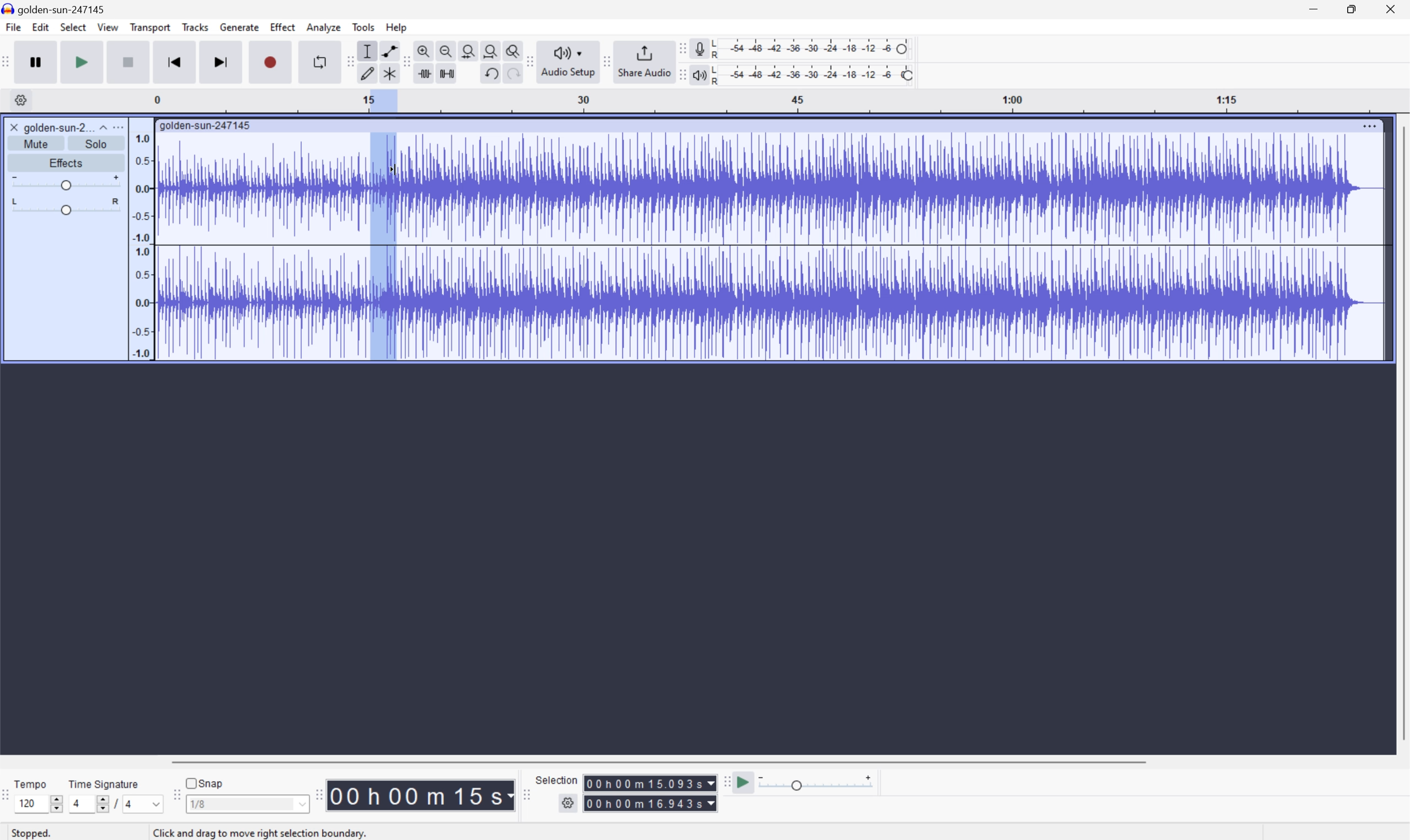 The height and width of the screenshot is (840, 1410). What do you see at coordinates (1348, 8) in the screenshot?
I see `Restore Down` at bounding box center [1348, 8].